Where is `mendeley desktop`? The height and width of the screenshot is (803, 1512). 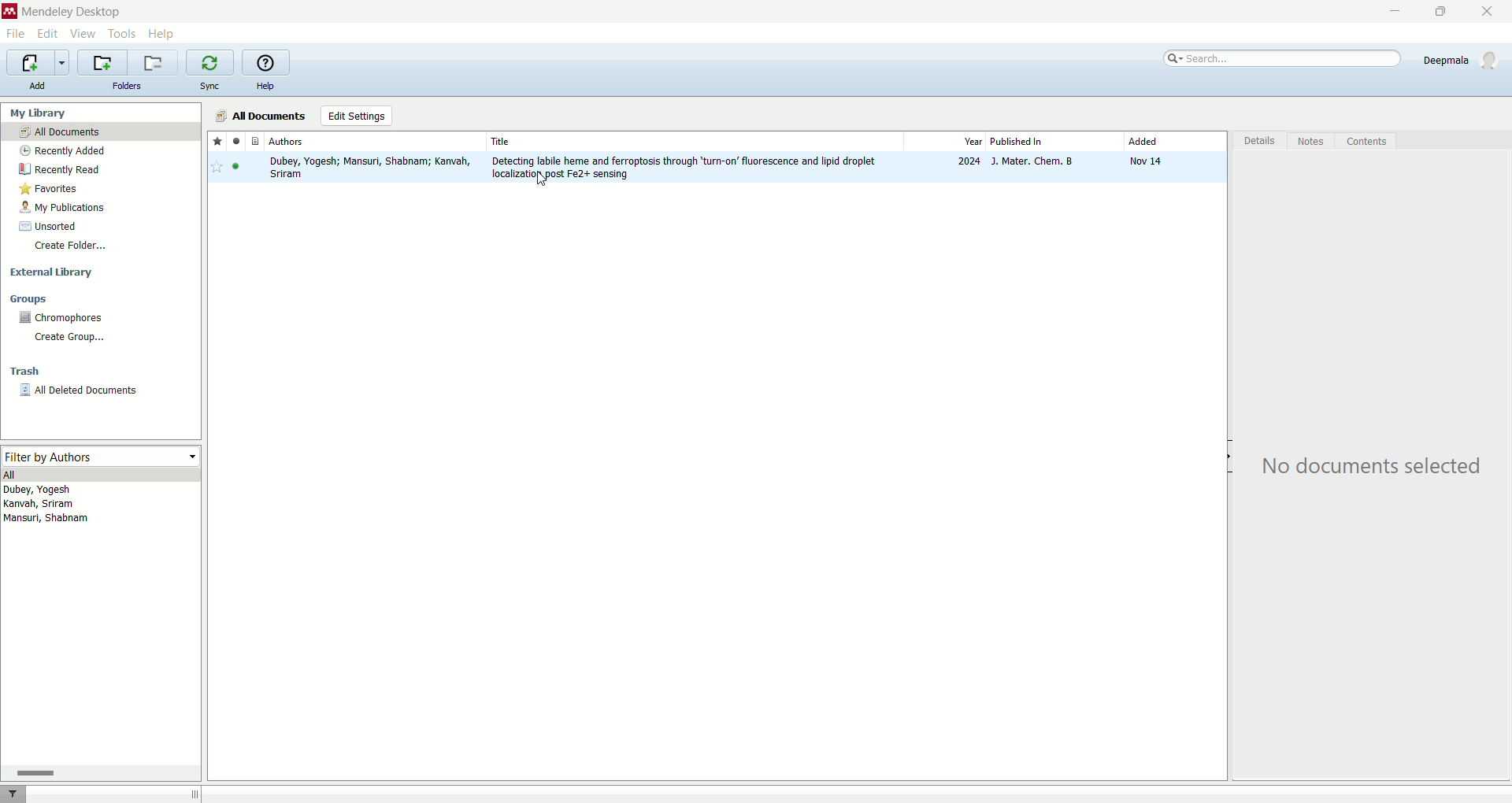 mendeley desktop is located at coordinates (70, 12).